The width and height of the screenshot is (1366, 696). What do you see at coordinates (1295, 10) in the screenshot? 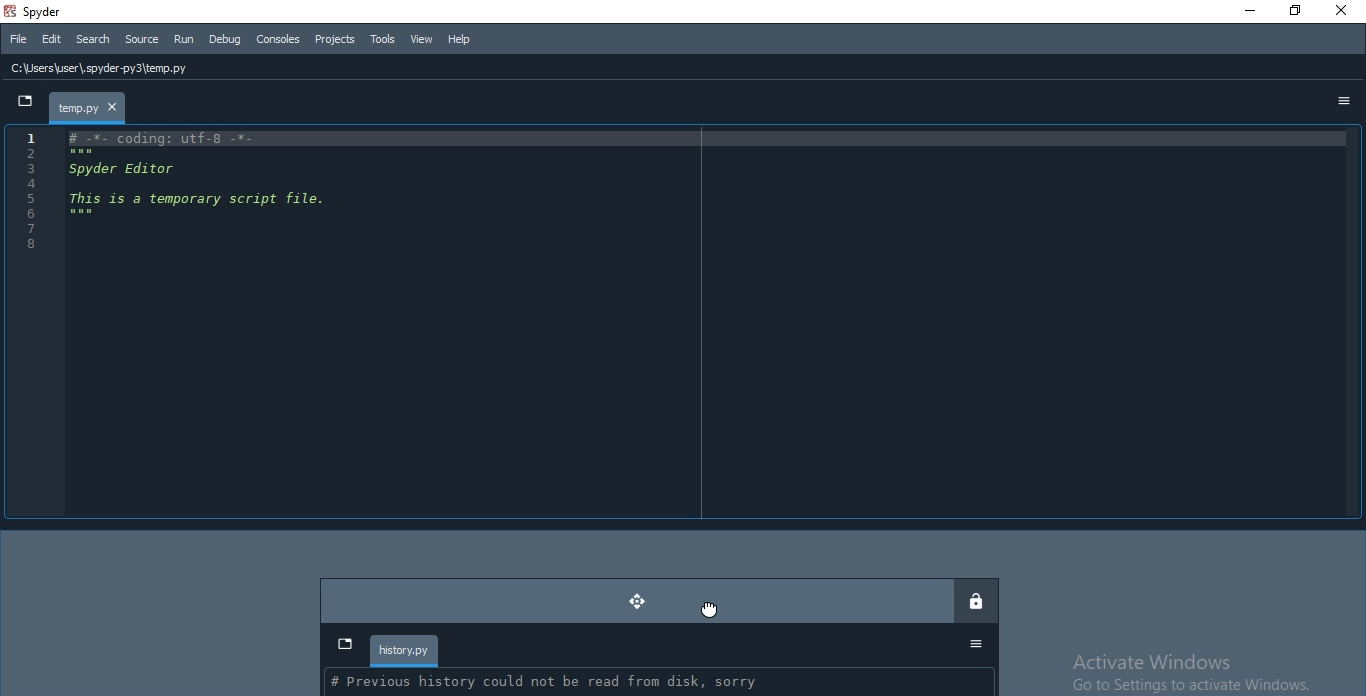
I see `Restore` at bounding box center [1295, 10].